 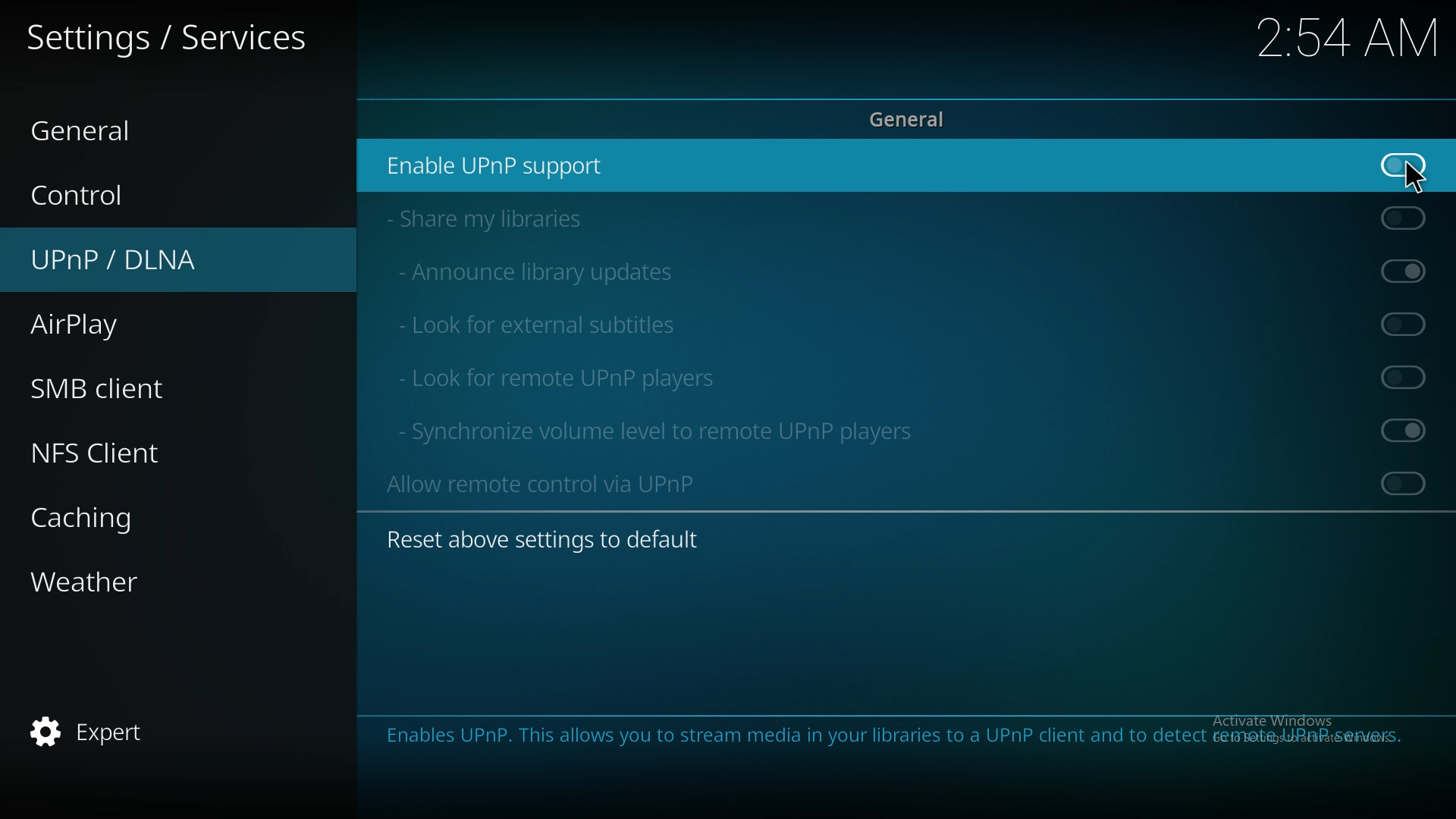 I want to click on control, so click(x=116, y=196).